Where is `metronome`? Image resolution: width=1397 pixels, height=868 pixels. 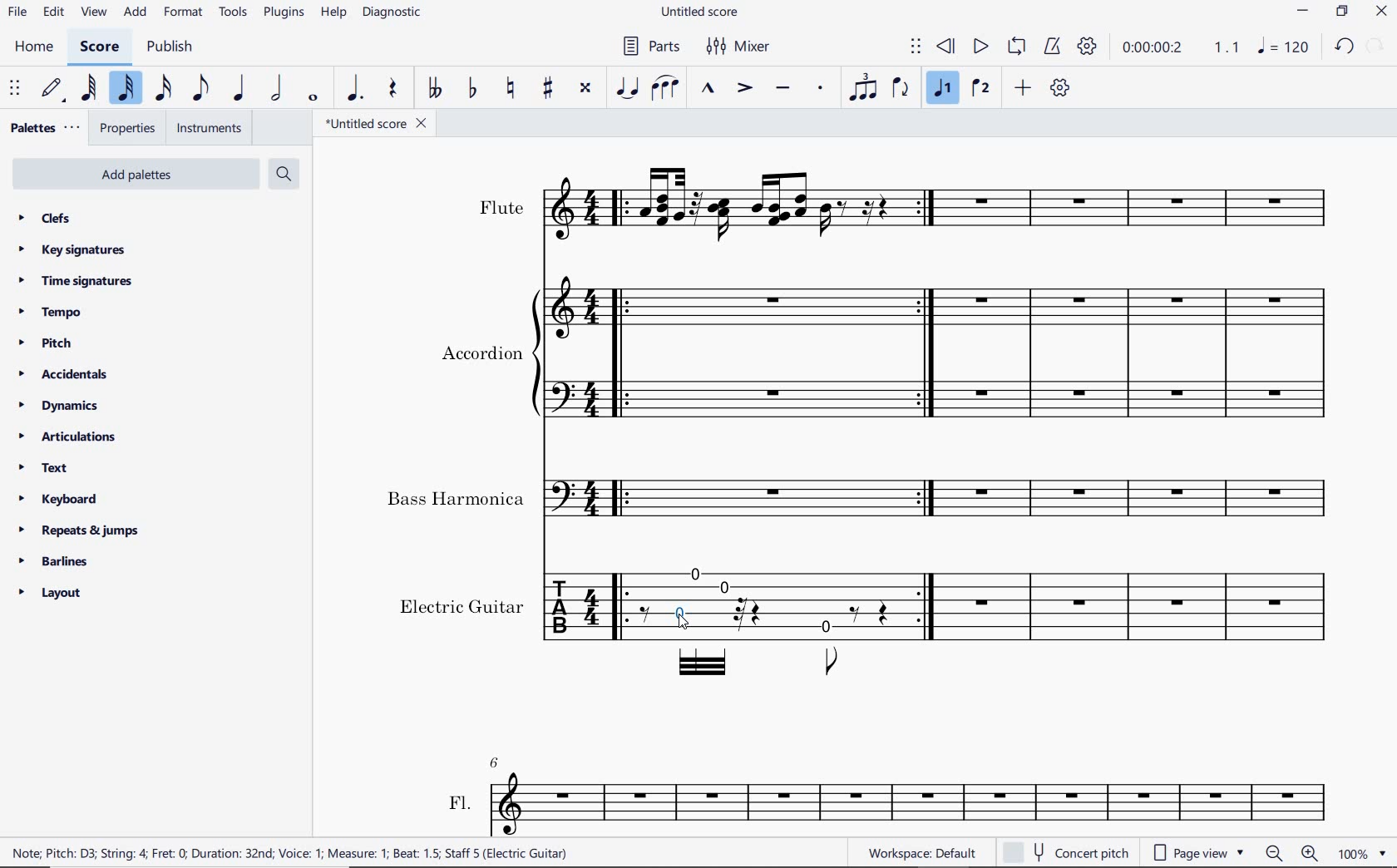
metronome is located at coordinates (1051, 46).